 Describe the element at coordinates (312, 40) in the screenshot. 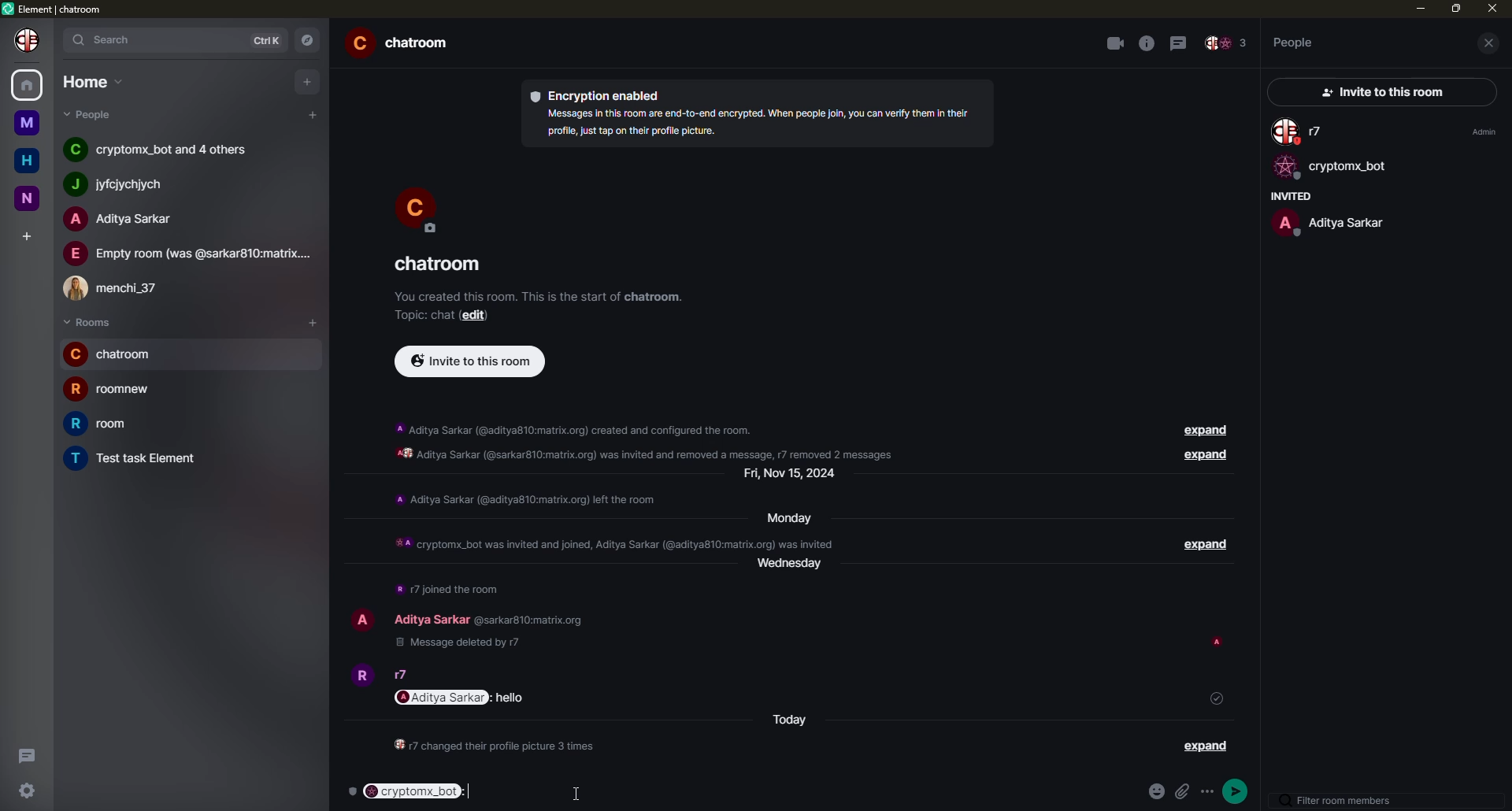

I see `navigator` at that location.